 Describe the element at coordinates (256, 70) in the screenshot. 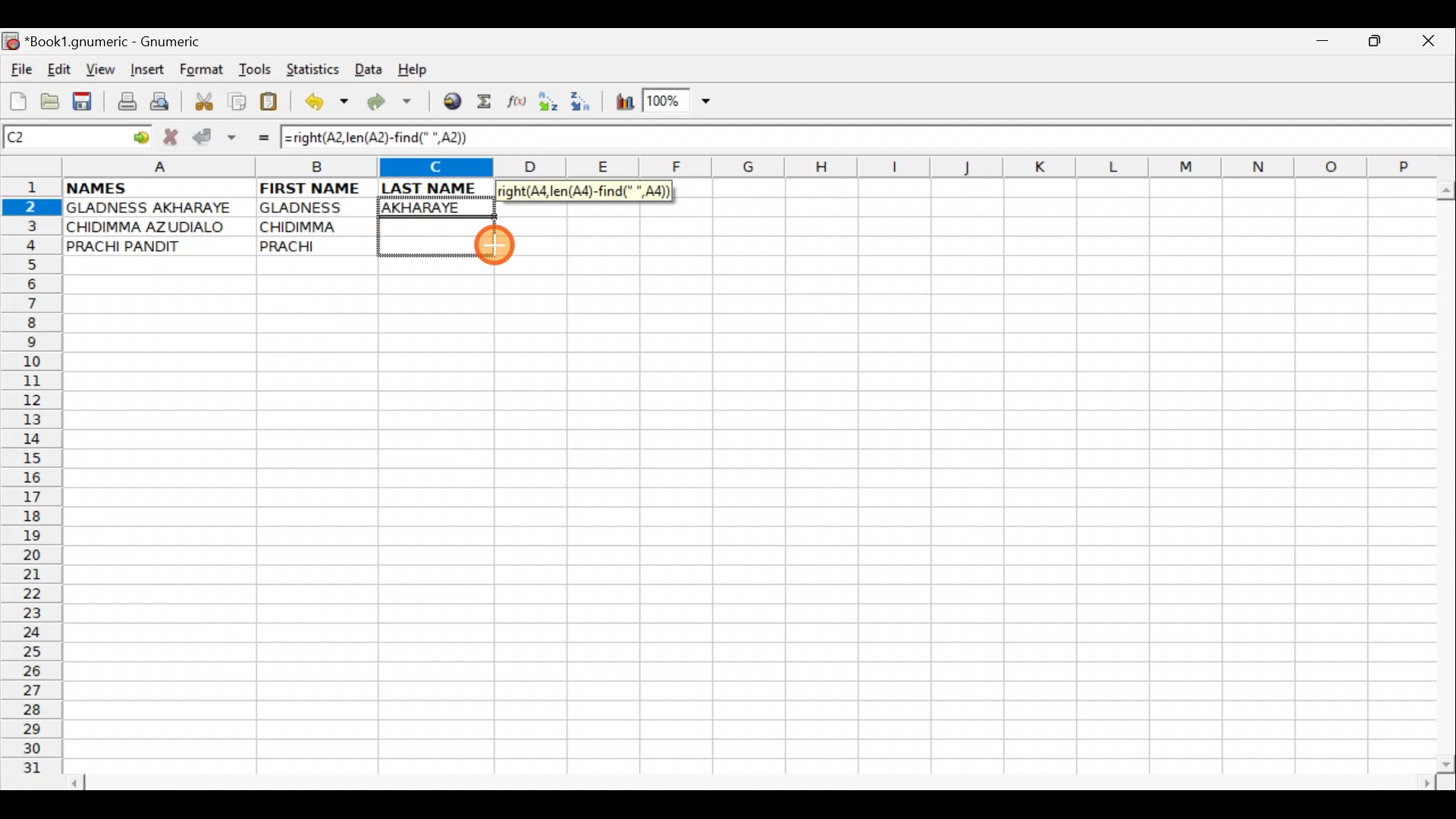

I see `Tools` at that location.